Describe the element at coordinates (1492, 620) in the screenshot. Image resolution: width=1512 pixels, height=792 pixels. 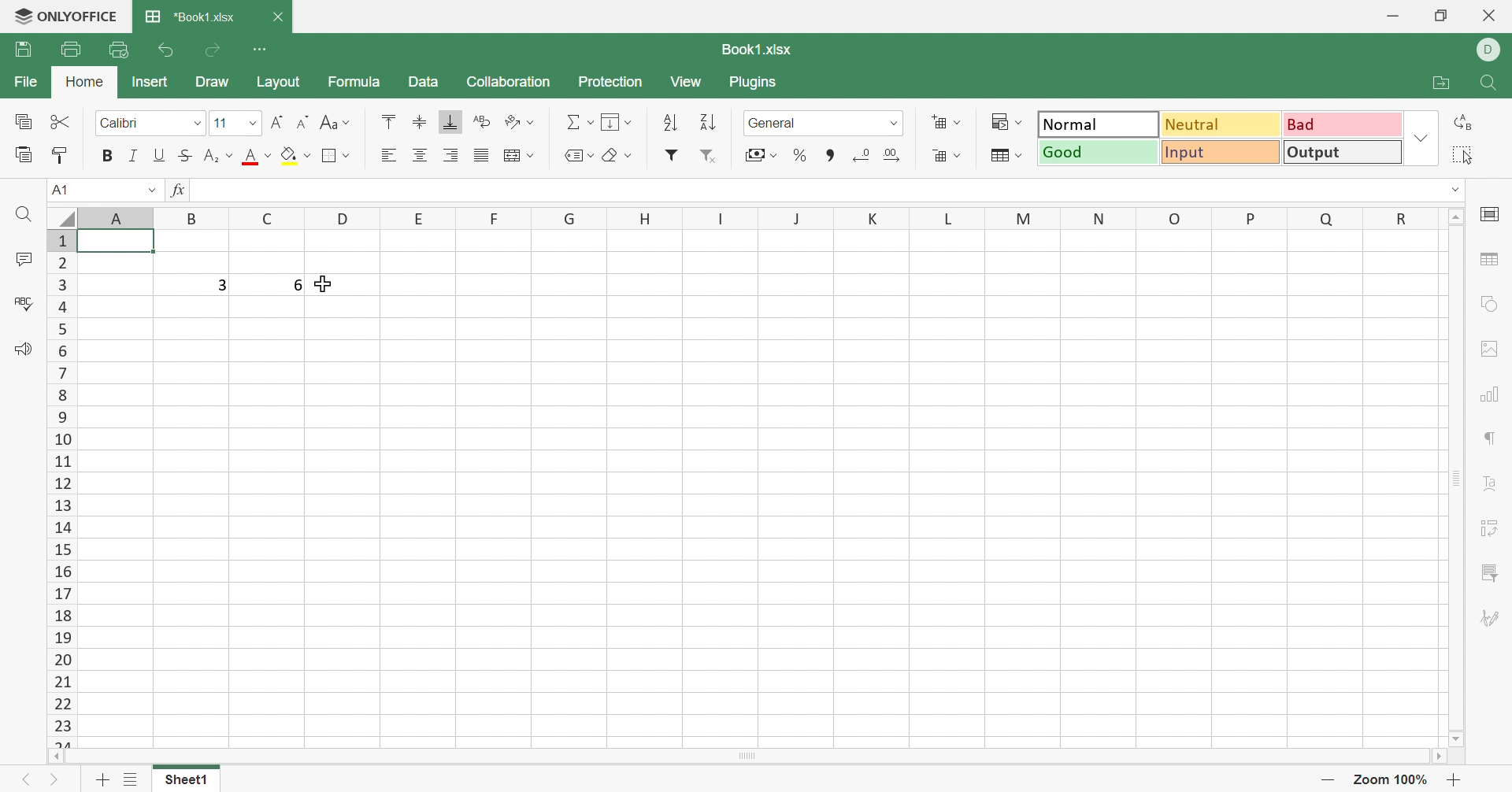
I see `Signature settings` at that location.